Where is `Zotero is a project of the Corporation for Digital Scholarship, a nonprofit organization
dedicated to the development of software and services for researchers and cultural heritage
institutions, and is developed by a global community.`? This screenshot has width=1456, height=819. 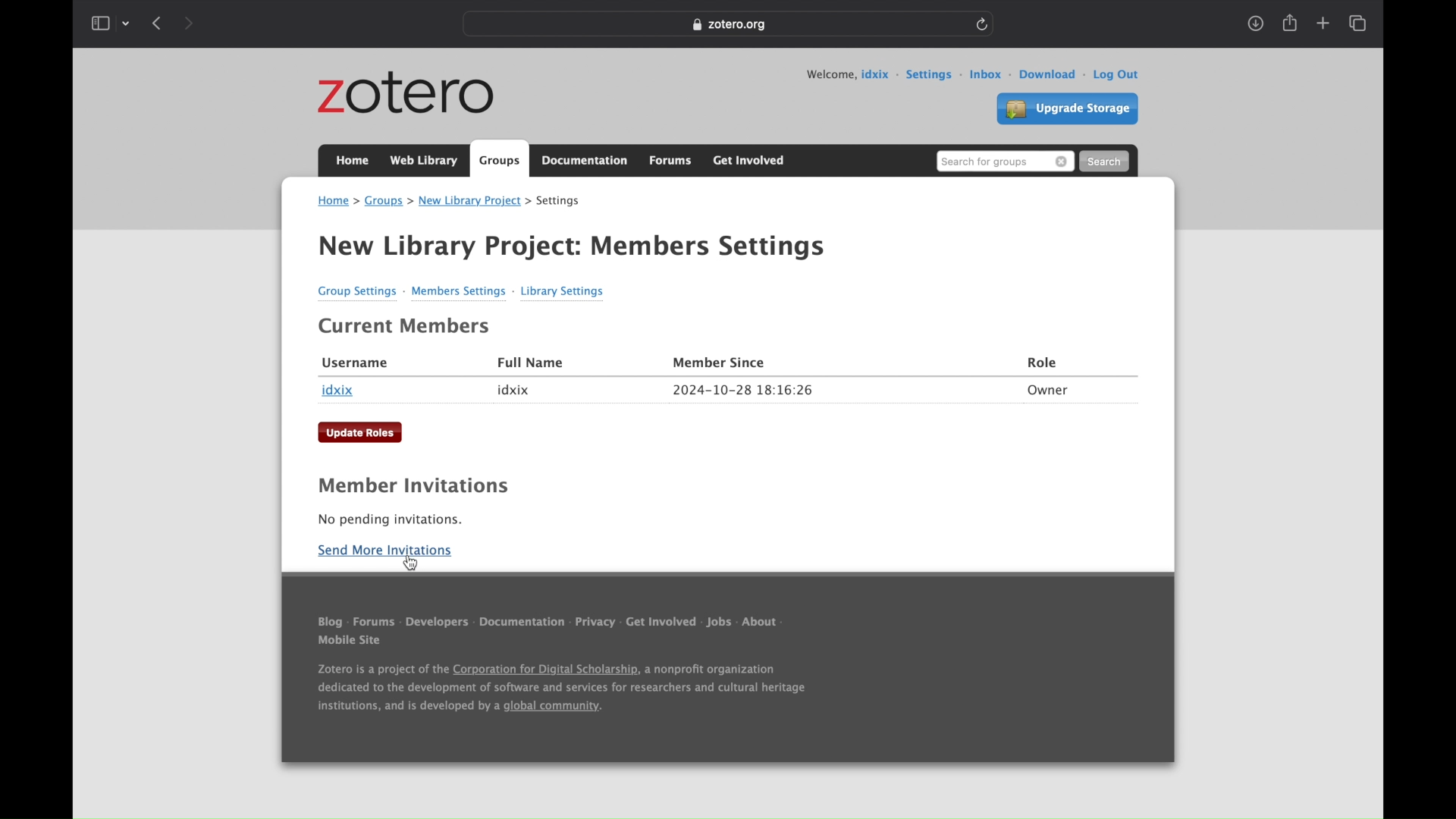
Zotero is a project of the Corporation for Digital Scholarship, a nonprofit organization
dedicated to the development of software and services for researchers and cultural heritage
institutions, and is developed by a global community. is located at coordinates (561, 690).